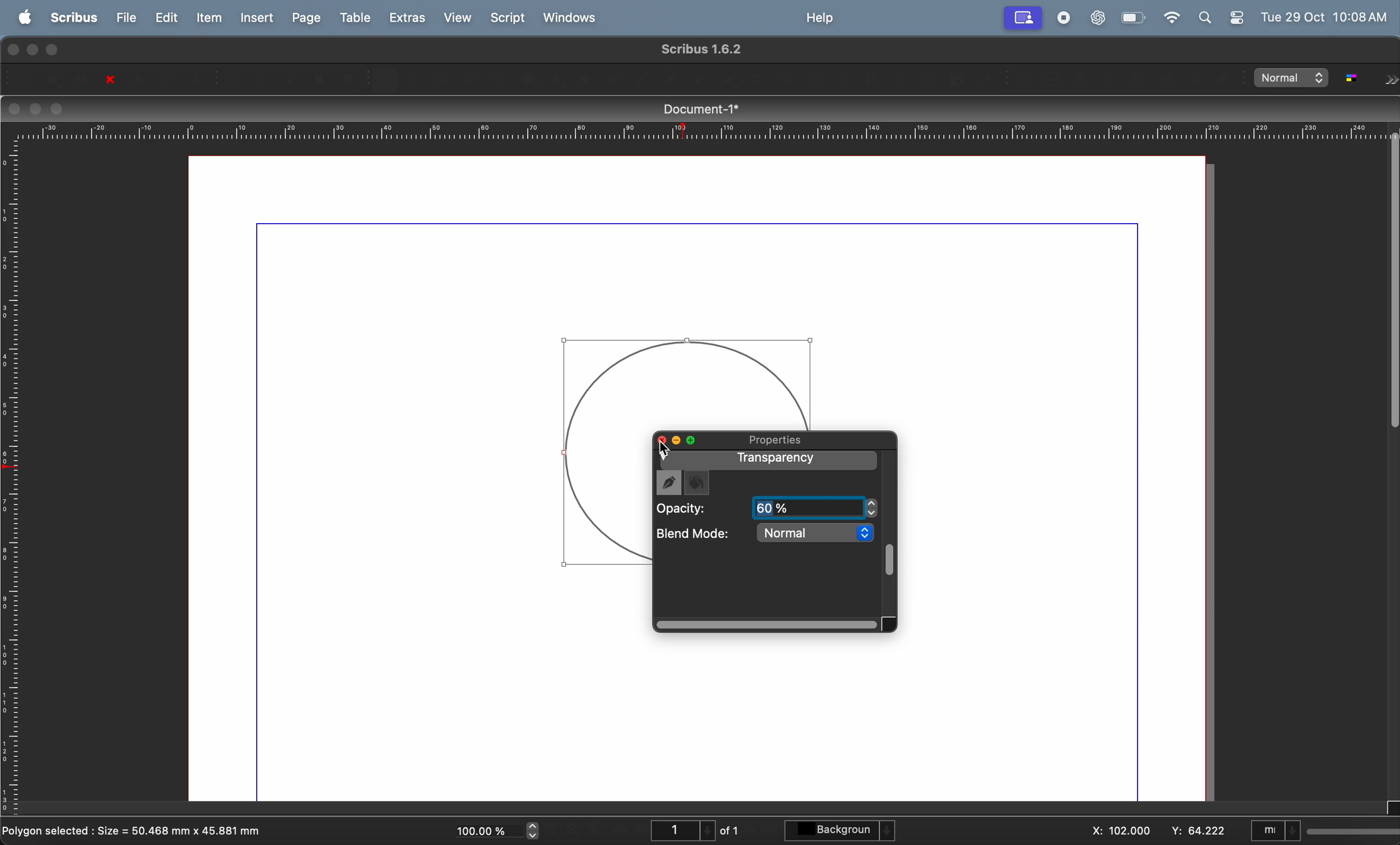 The image size is (1400, 845). Describe the element at coordinates (70, 16) in the screenshot. I see `scribus` at that location.